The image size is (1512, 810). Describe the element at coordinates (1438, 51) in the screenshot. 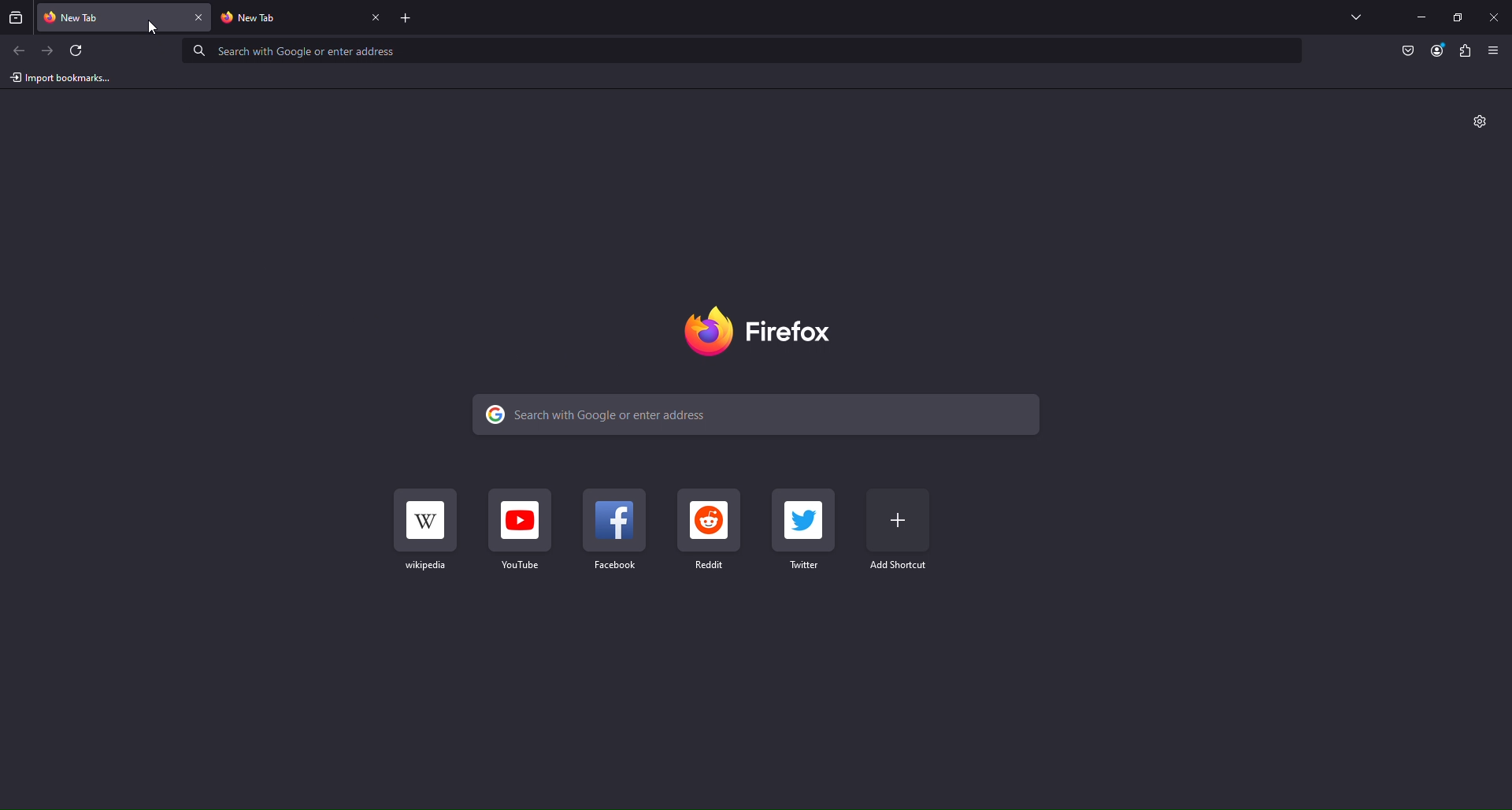

I see `Account` at that location.